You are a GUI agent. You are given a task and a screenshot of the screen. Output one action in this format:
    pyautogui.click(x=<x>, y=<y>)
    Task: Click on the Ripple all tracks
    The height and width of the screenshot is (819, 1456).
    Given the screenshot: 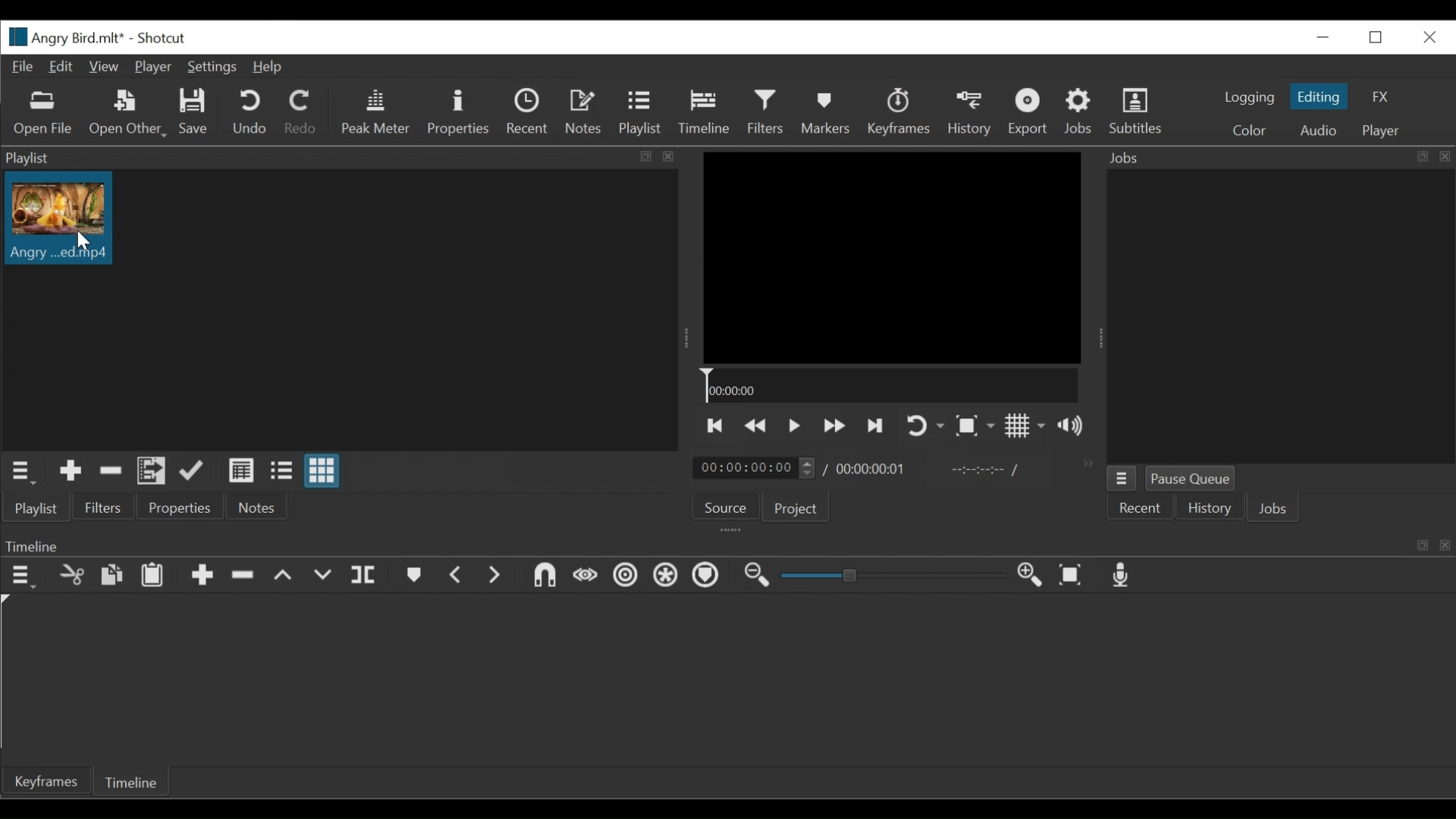 What is the action you would take?
    pyautogui.click(x=667, y=576)
    